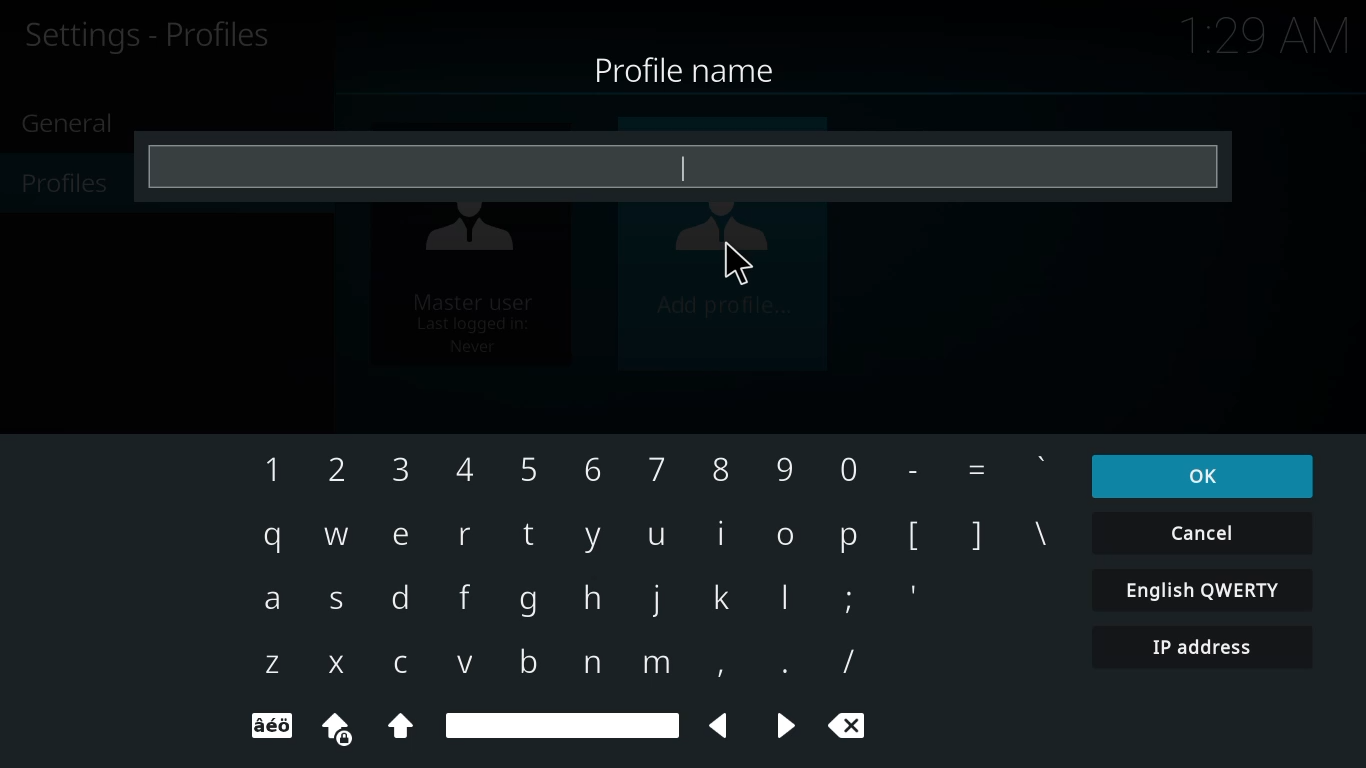  Describe the element at coordinates (916, 596) in the screenshot. I see `'` at that location.